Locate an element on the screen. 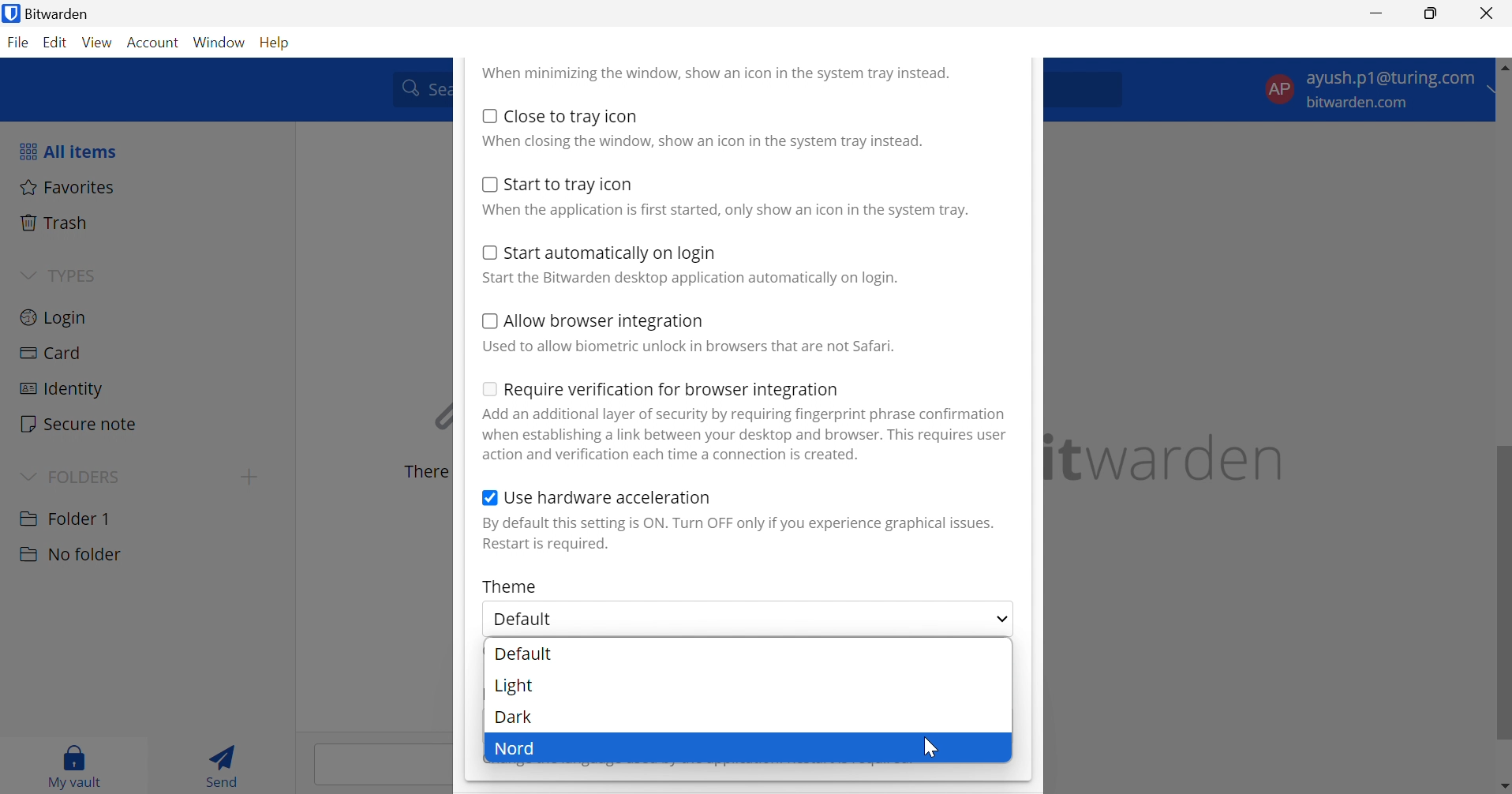 This screenshot has width=1512, height=794. Help is located at coordinates (278, 41).